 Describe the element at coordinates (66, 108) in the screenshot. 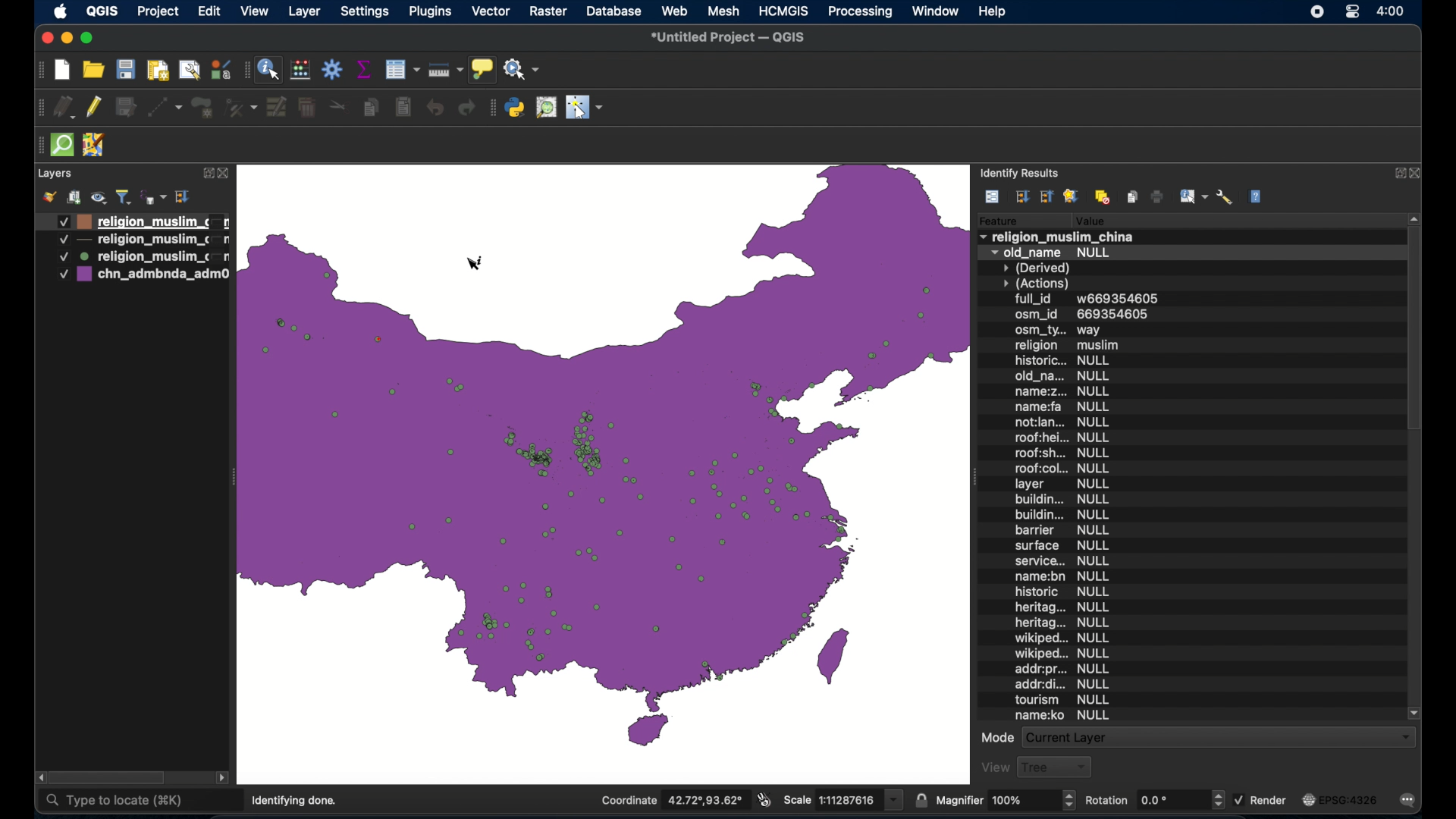

I see `current edits` at that location.